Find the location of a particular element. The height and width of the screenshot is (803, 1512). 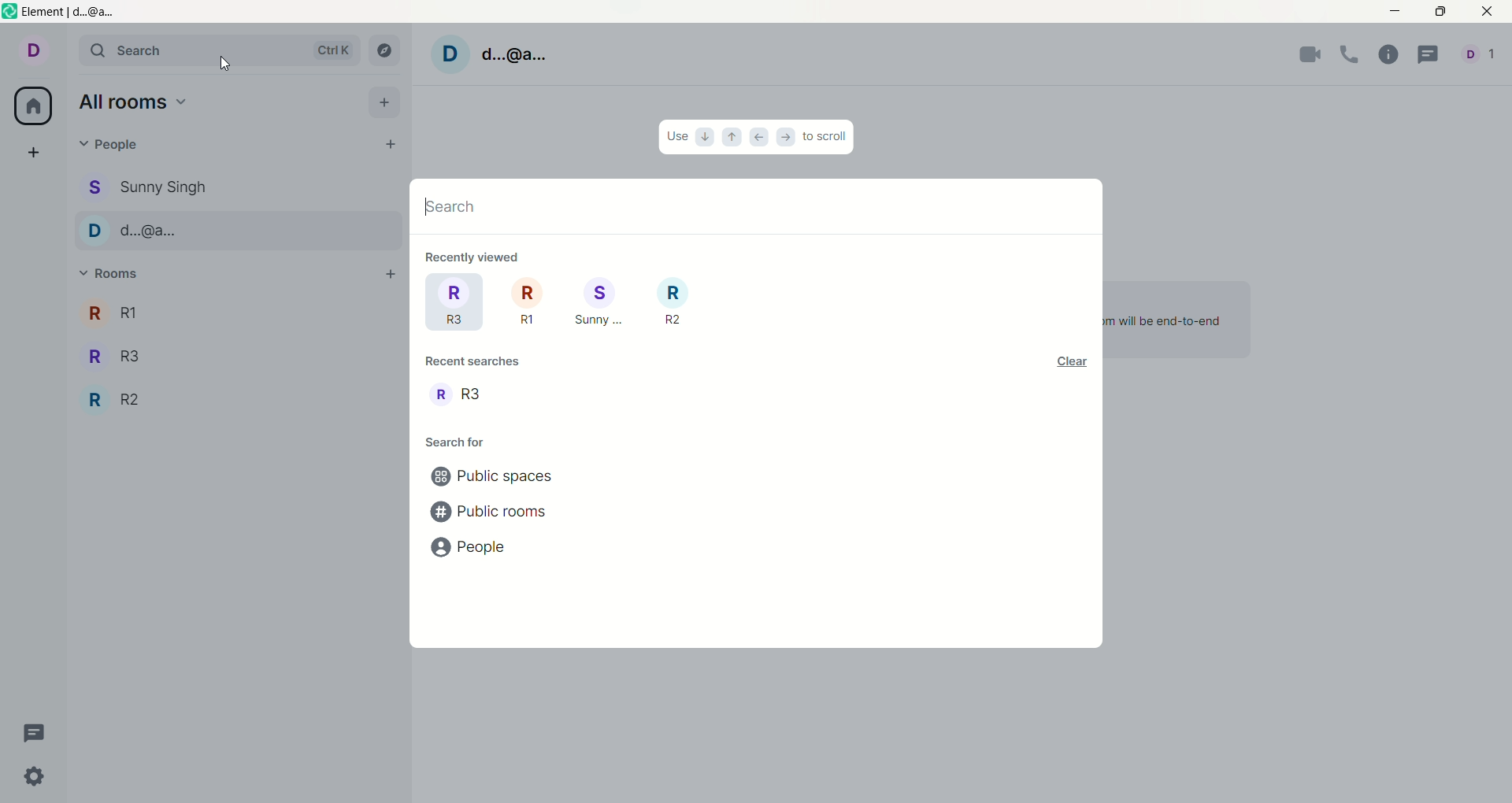

room info is located at coordinates (1388, 56).